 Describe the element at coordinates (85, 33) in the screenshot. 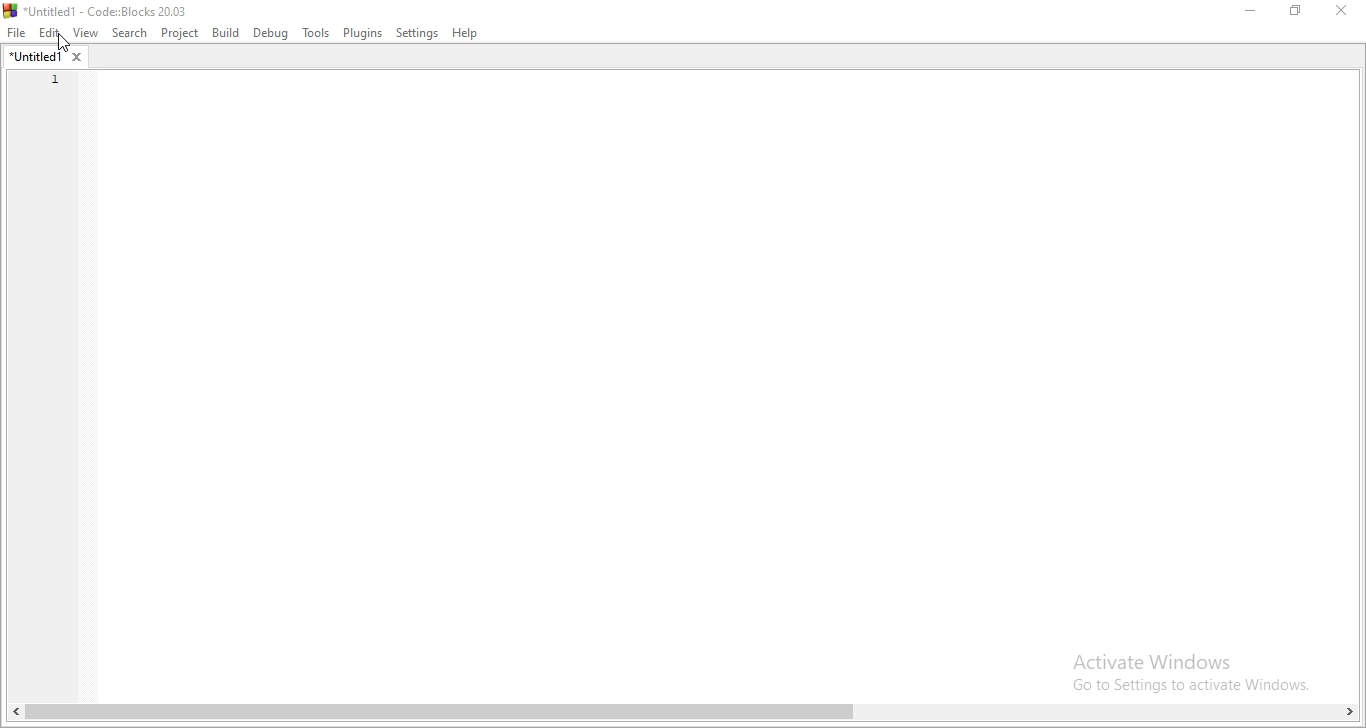

I see `View ` at that location.